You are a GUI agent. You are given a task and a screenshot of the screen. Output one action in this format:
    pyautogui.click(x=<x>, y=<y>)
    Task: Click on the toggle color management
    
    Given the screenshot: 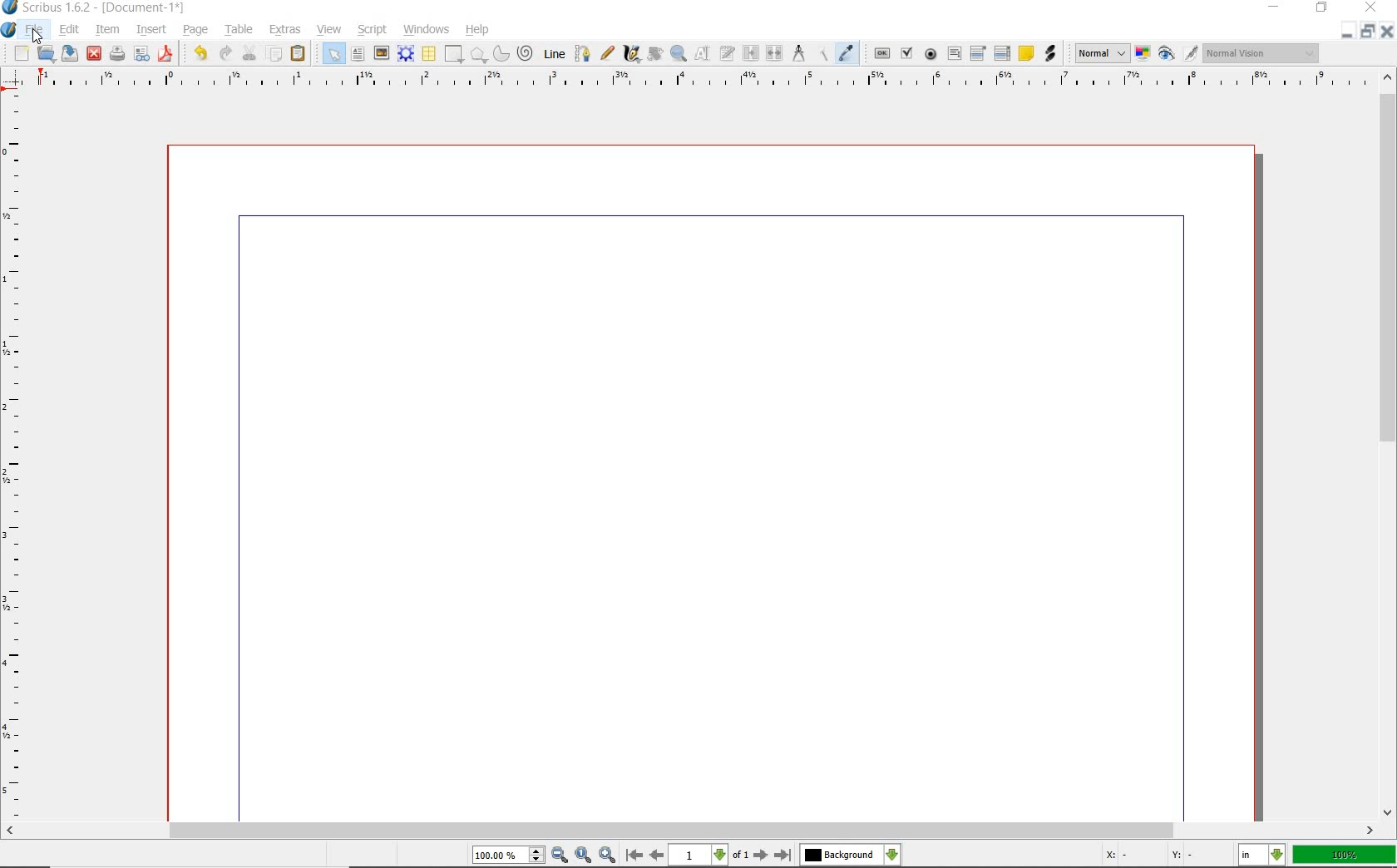 What is the action you would take?
    pyautogui.click(x=1142, y=55)
    